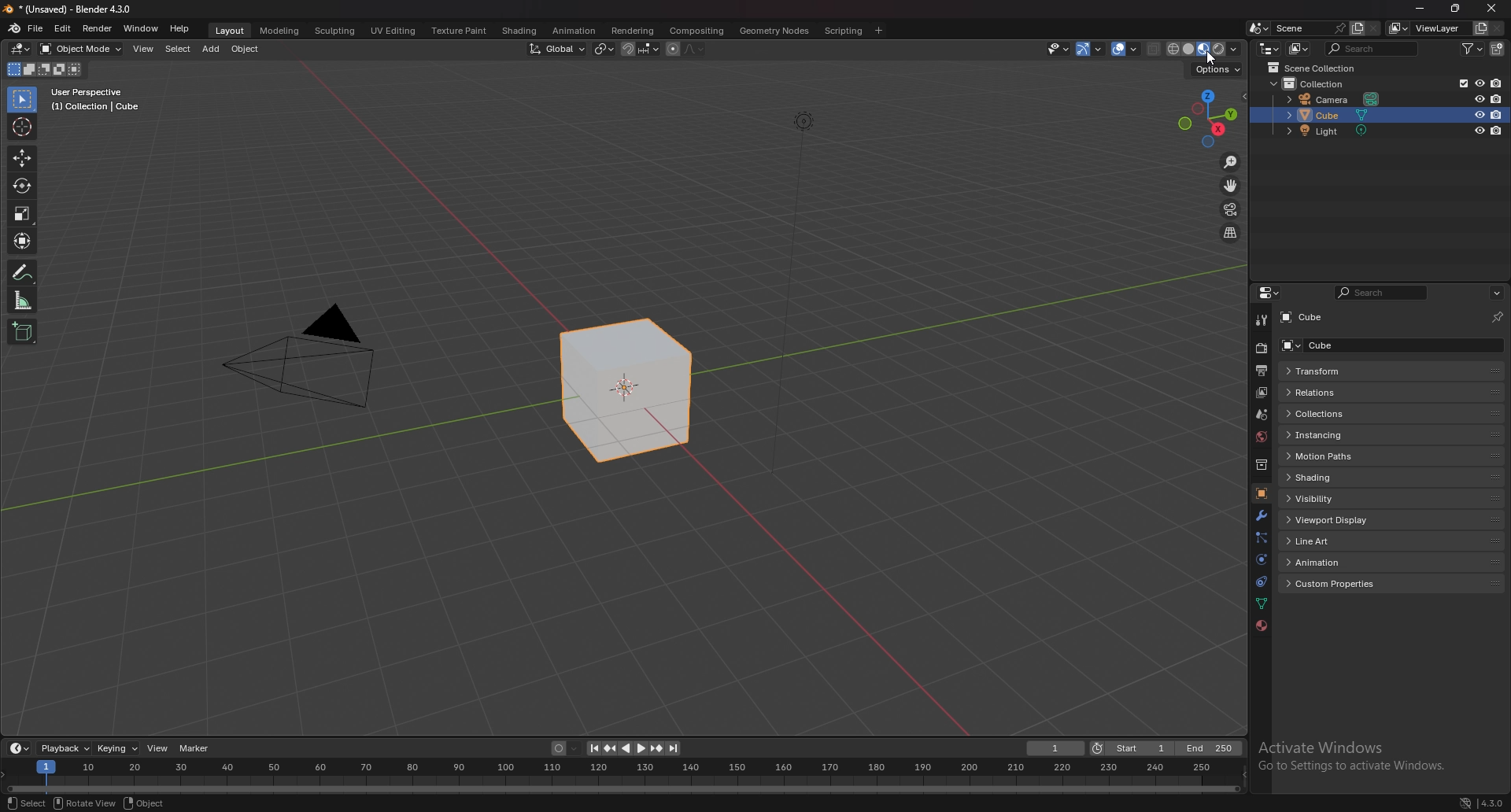 The image size is (1511, 812). What do you see at coordinates (1261, 516) in the screenshot?
I see `modifier` at bounding box center [1261, 516].